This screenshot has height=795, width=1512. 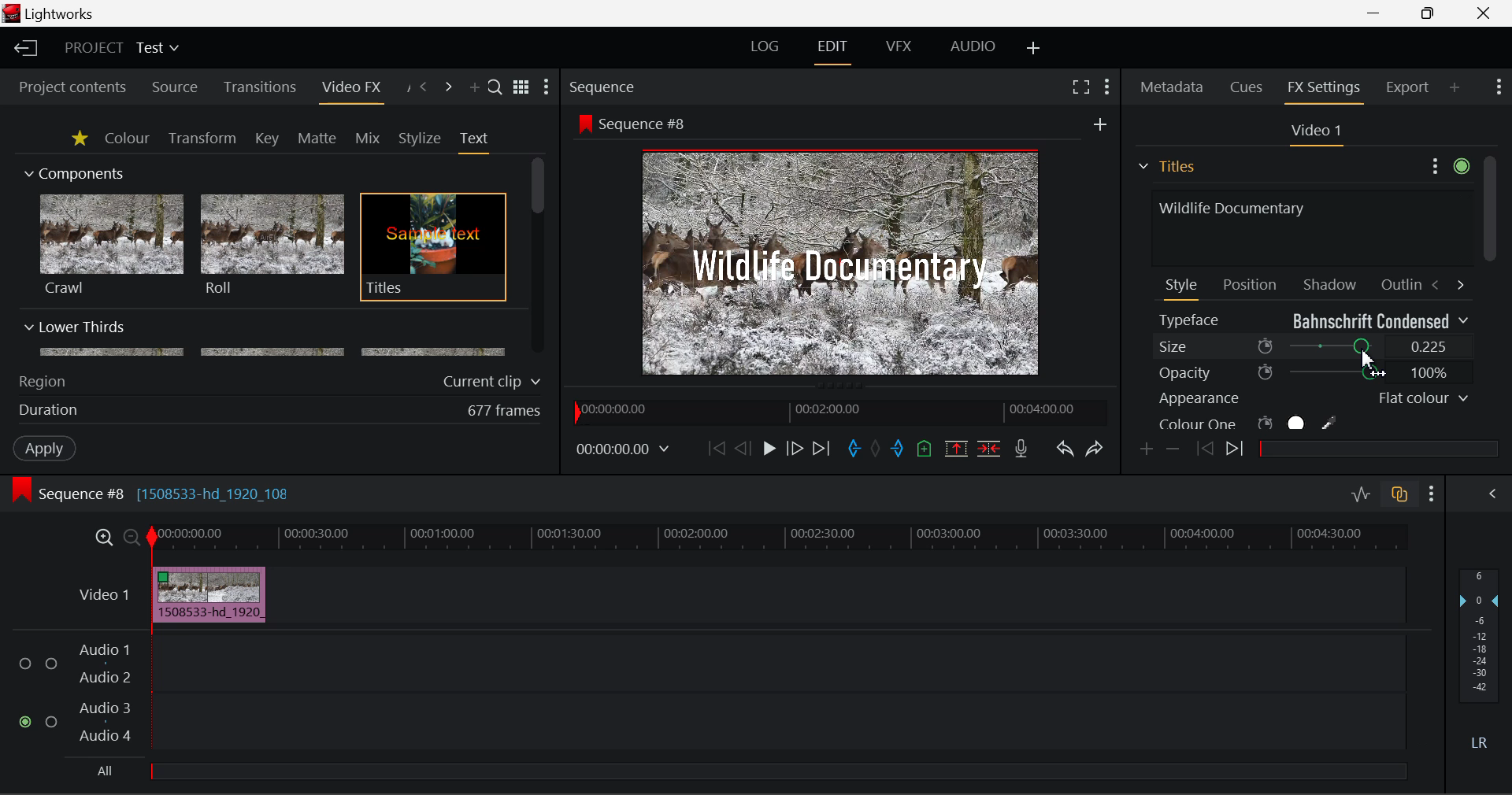 I want to click on DRAG_TO Cursor Position, so click(x=1367, y=348).